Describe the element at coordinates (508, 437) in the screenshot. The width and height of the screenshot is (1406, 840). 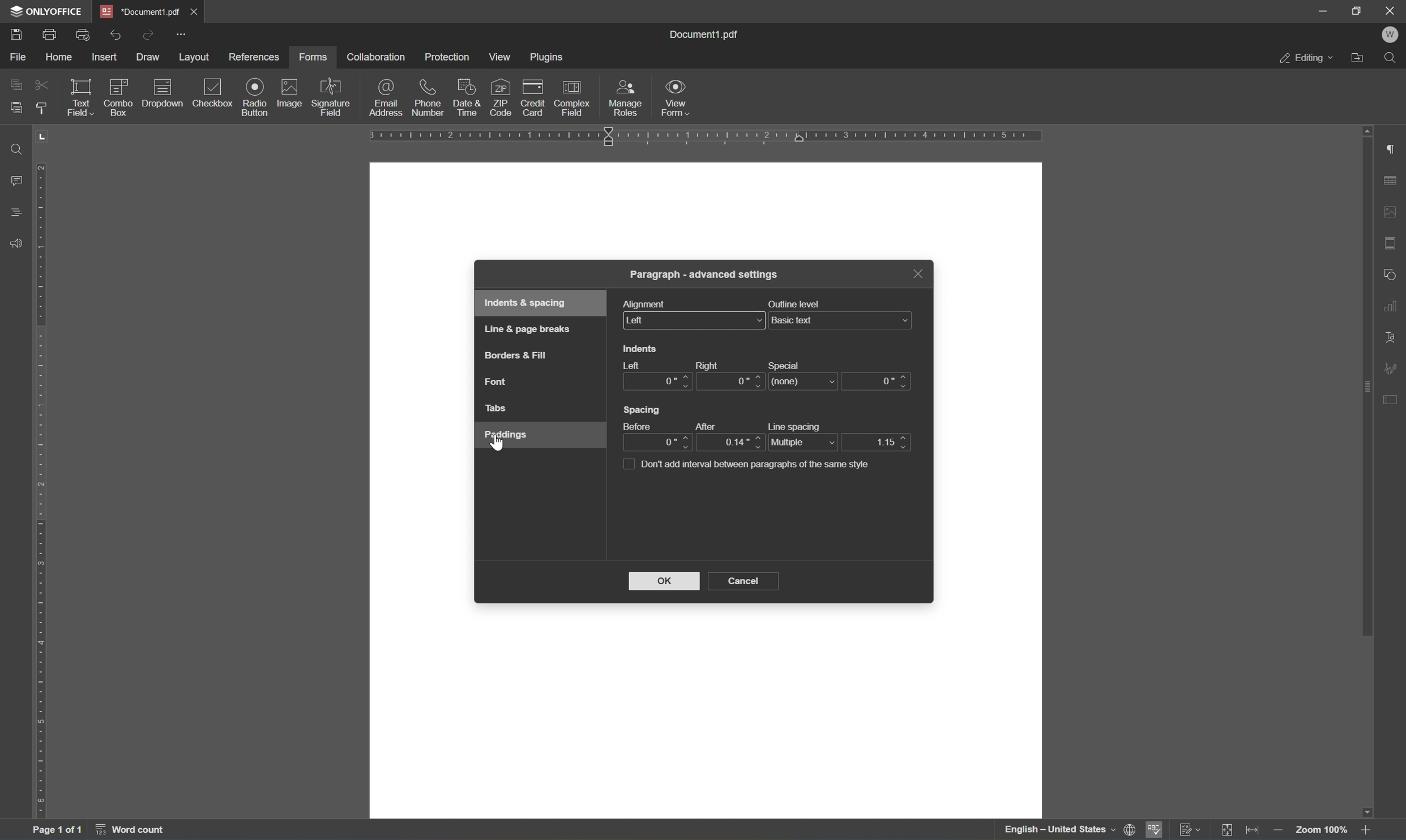
I see `paddings with active cursor` at that location.